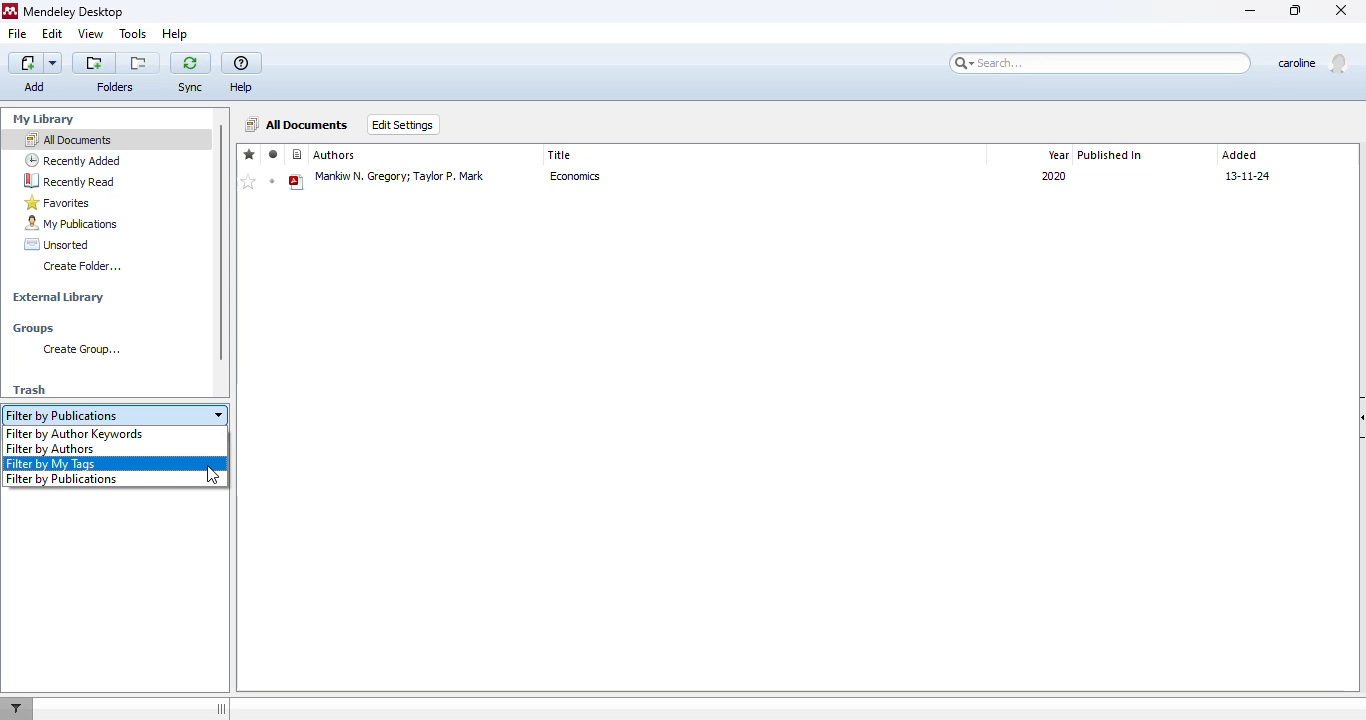 The image size is (1366, 720). What do you see at coordinates (273, 154) in the screenshot?
I see `read/unread` at bounding box center [273, 154].